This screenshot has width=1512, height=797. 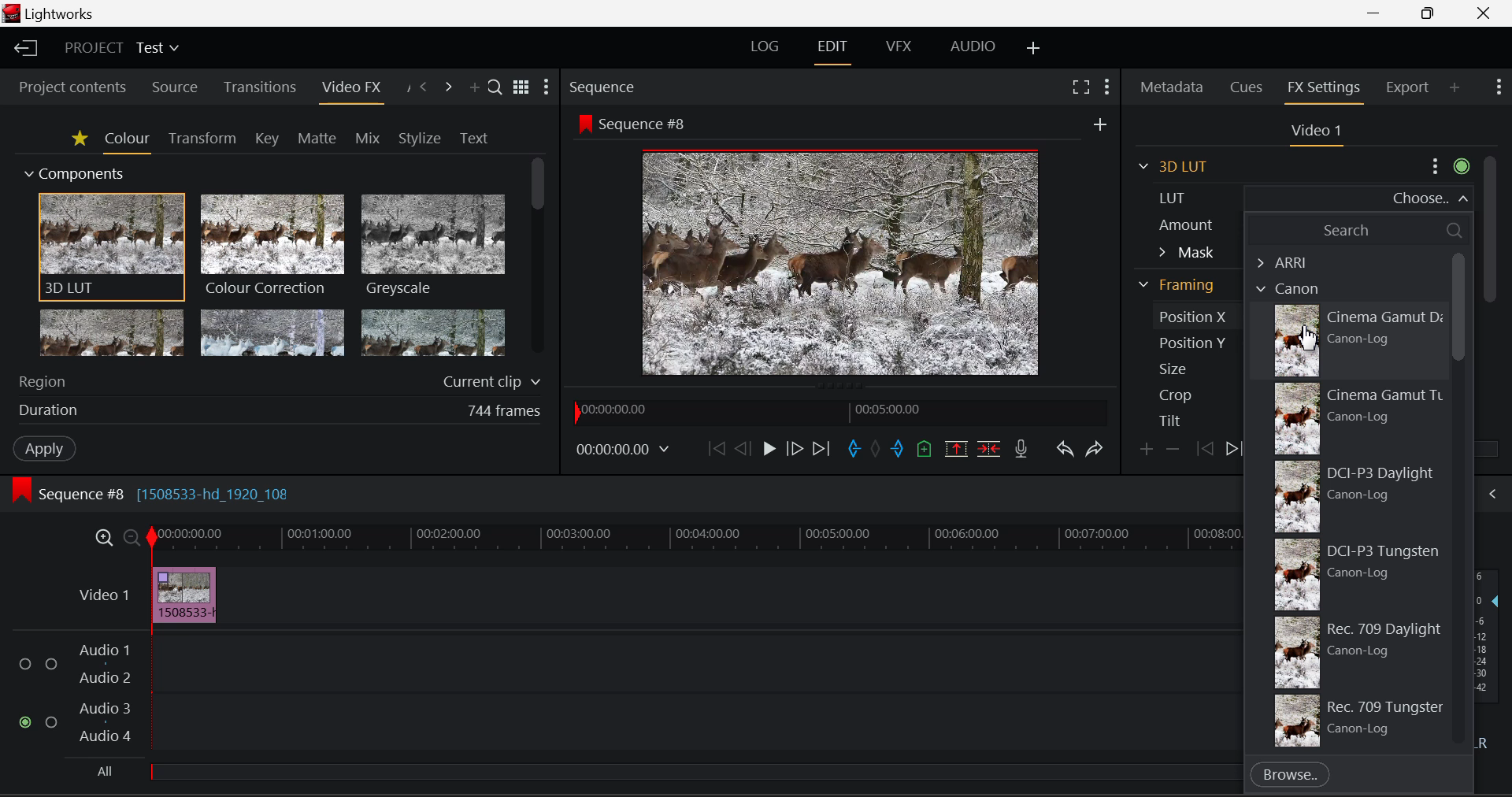 I want to click on Minimize, so click(x=1430, y=13).